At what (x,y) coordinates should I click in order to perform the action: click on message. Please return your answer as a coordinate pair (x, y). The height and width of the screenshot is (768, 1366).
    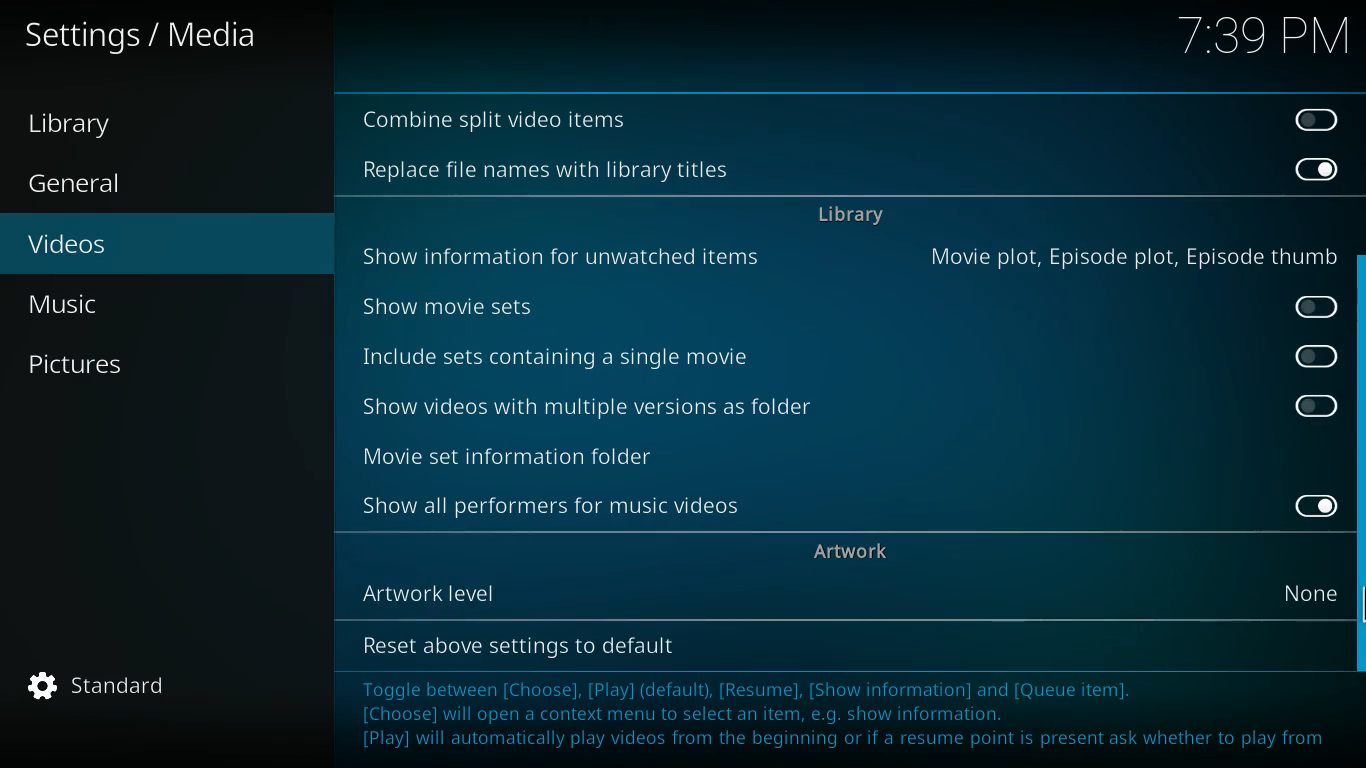
    Looking at the image, I should click on (840, 716).